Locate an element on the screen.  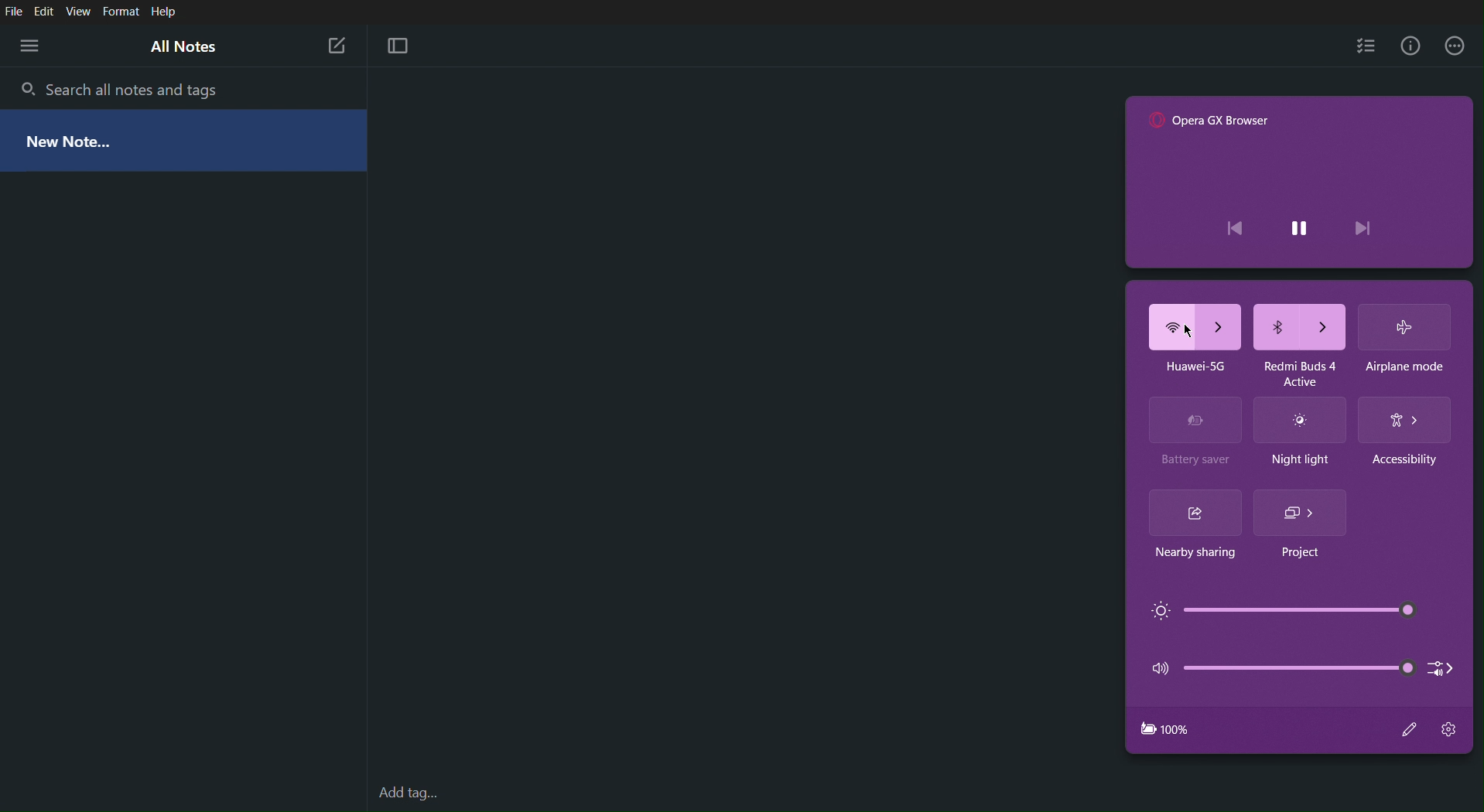
Battery saver is located at coordinates (1194, 463).